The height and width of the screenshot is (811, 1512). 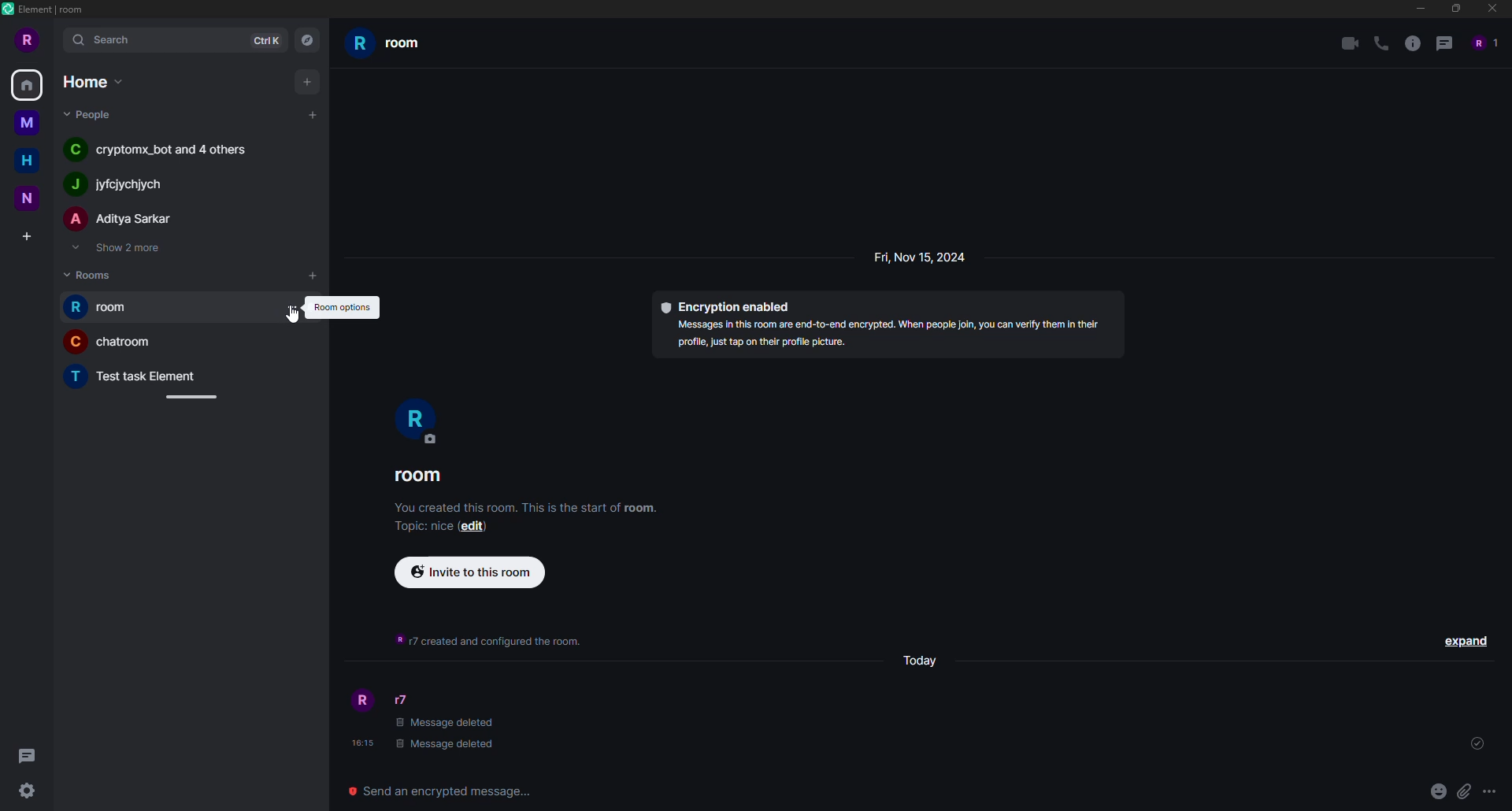 I want to click on add, so click(x=313, y=113).